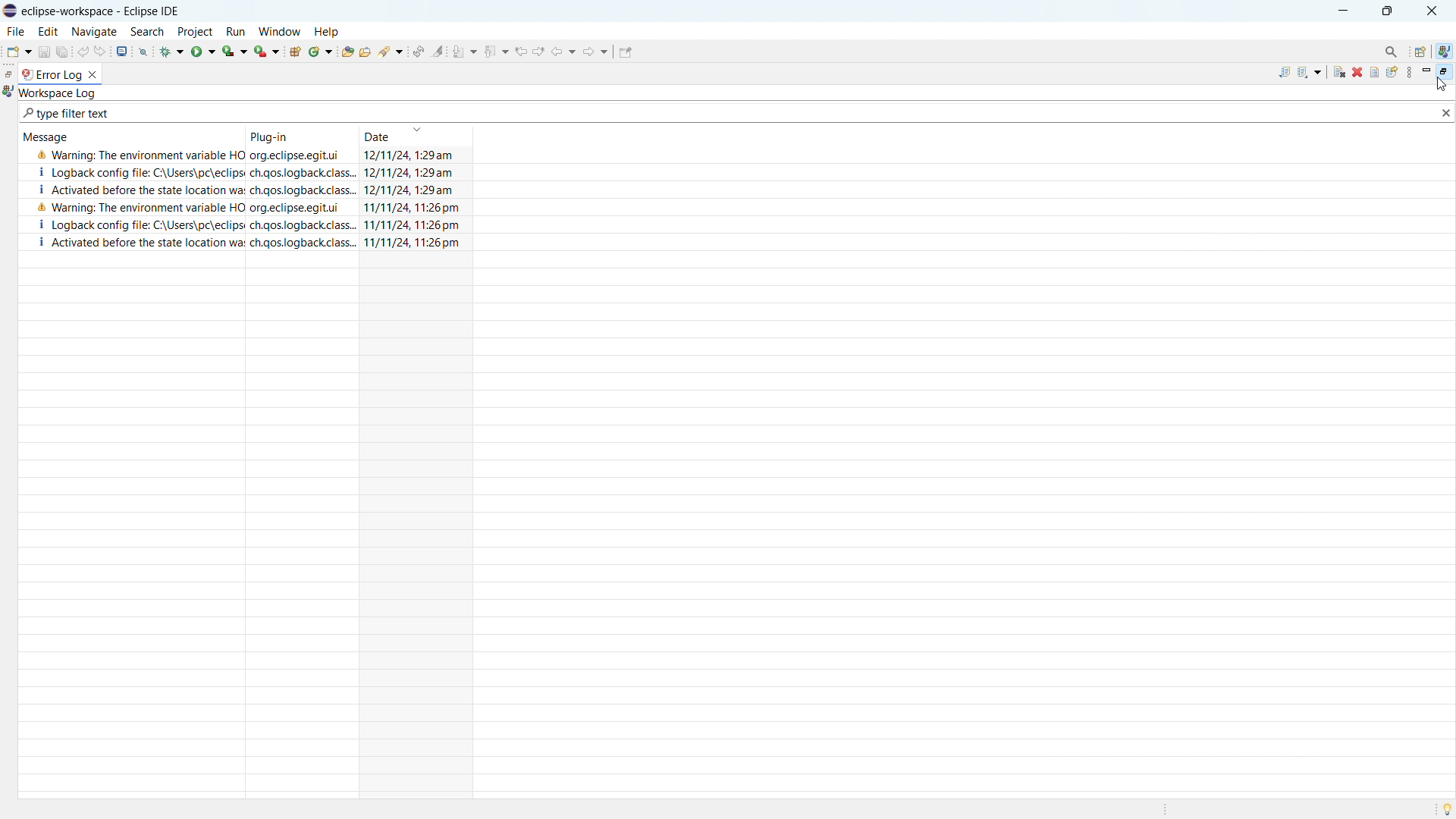 The width and height of the screenshot is (1456, 819). Describe the element at coordinates (393, 53) in the screenshot. I see `search` at that location.